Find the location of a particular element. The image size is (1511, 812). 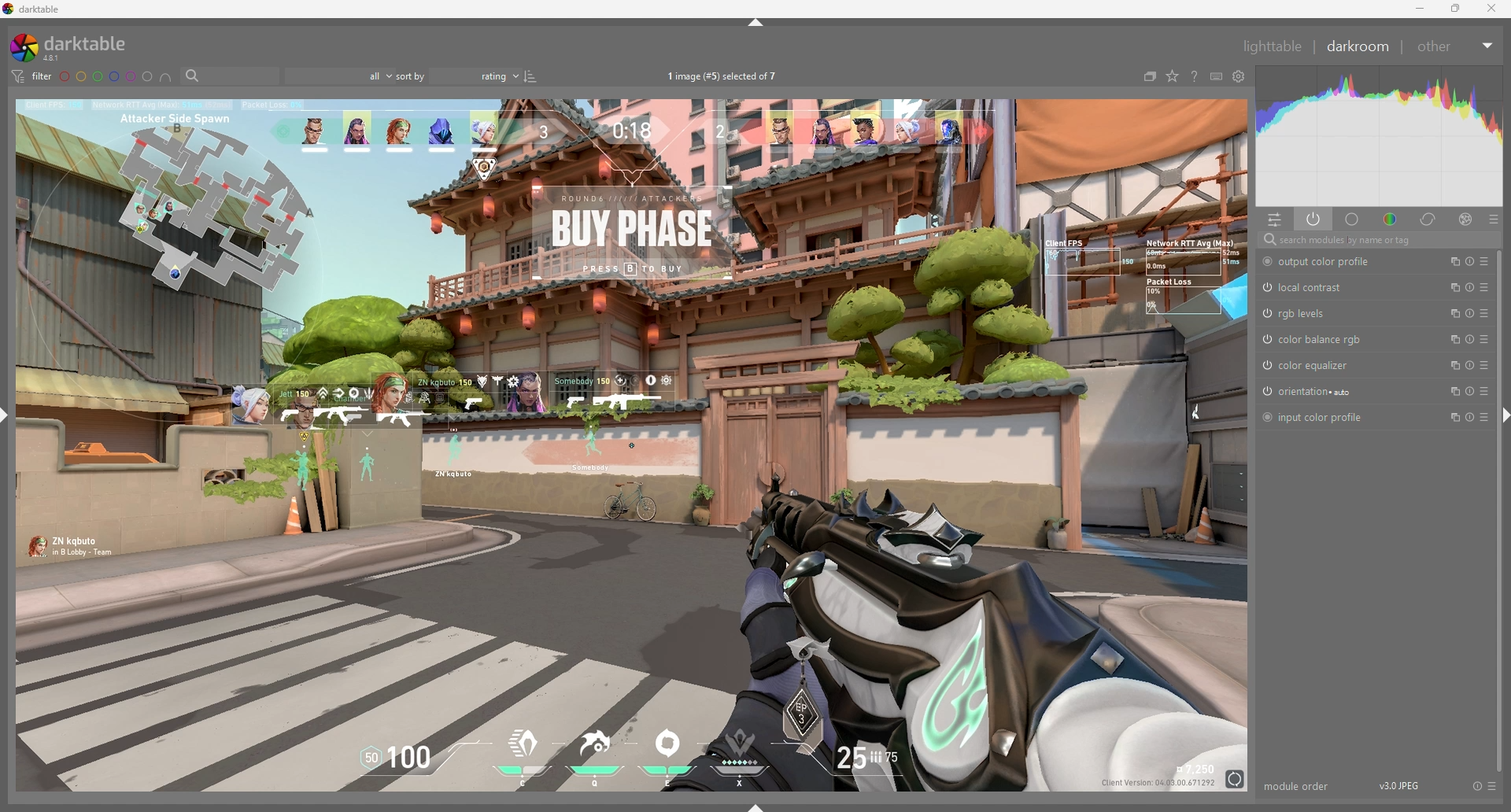

color label is located at coordinates (106, 76).